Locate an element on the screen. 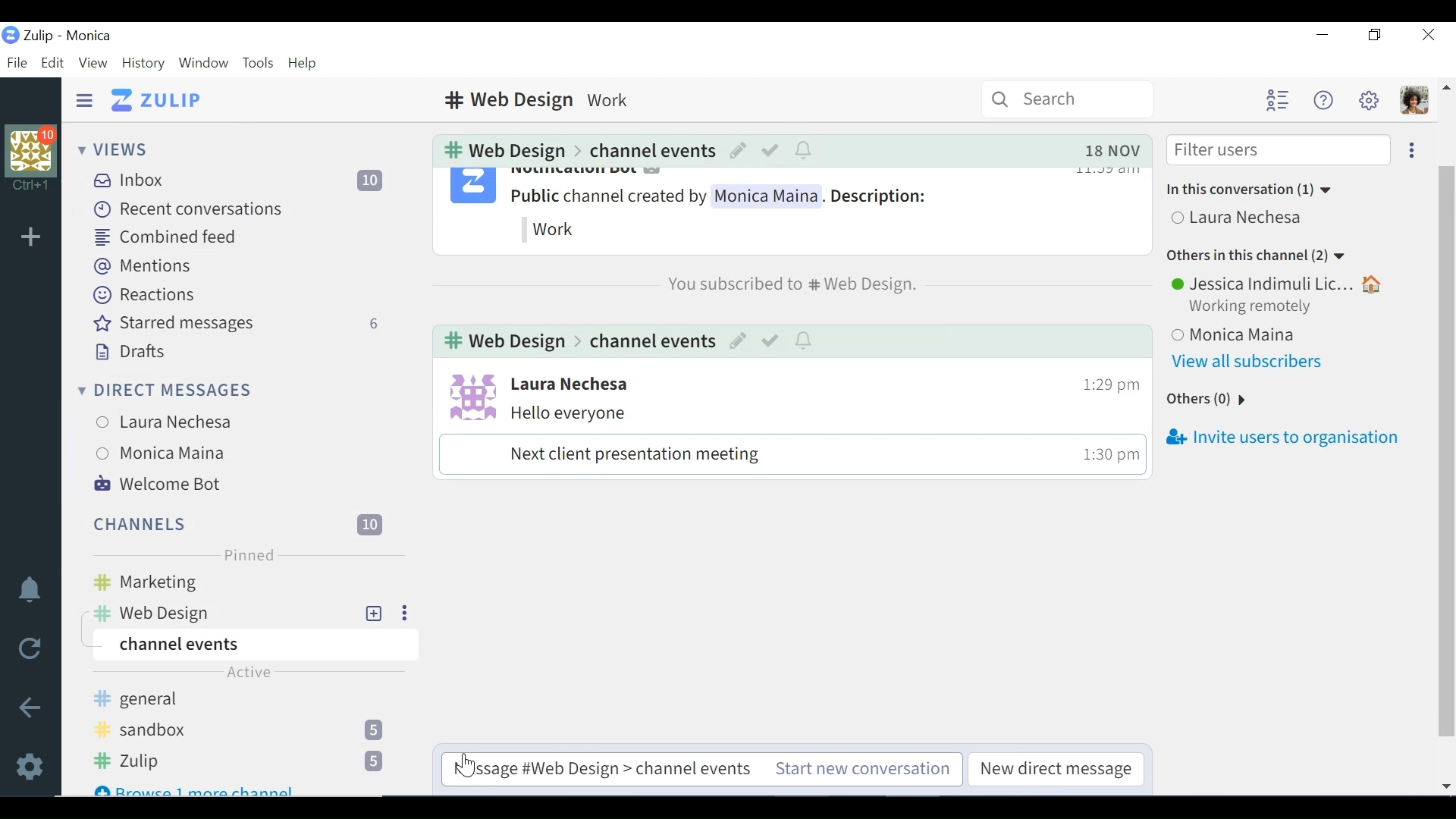 Image resolution: width=1456 pixels, height=819 pixels. Invite users to organisation is located at coordinates (1281, 440).